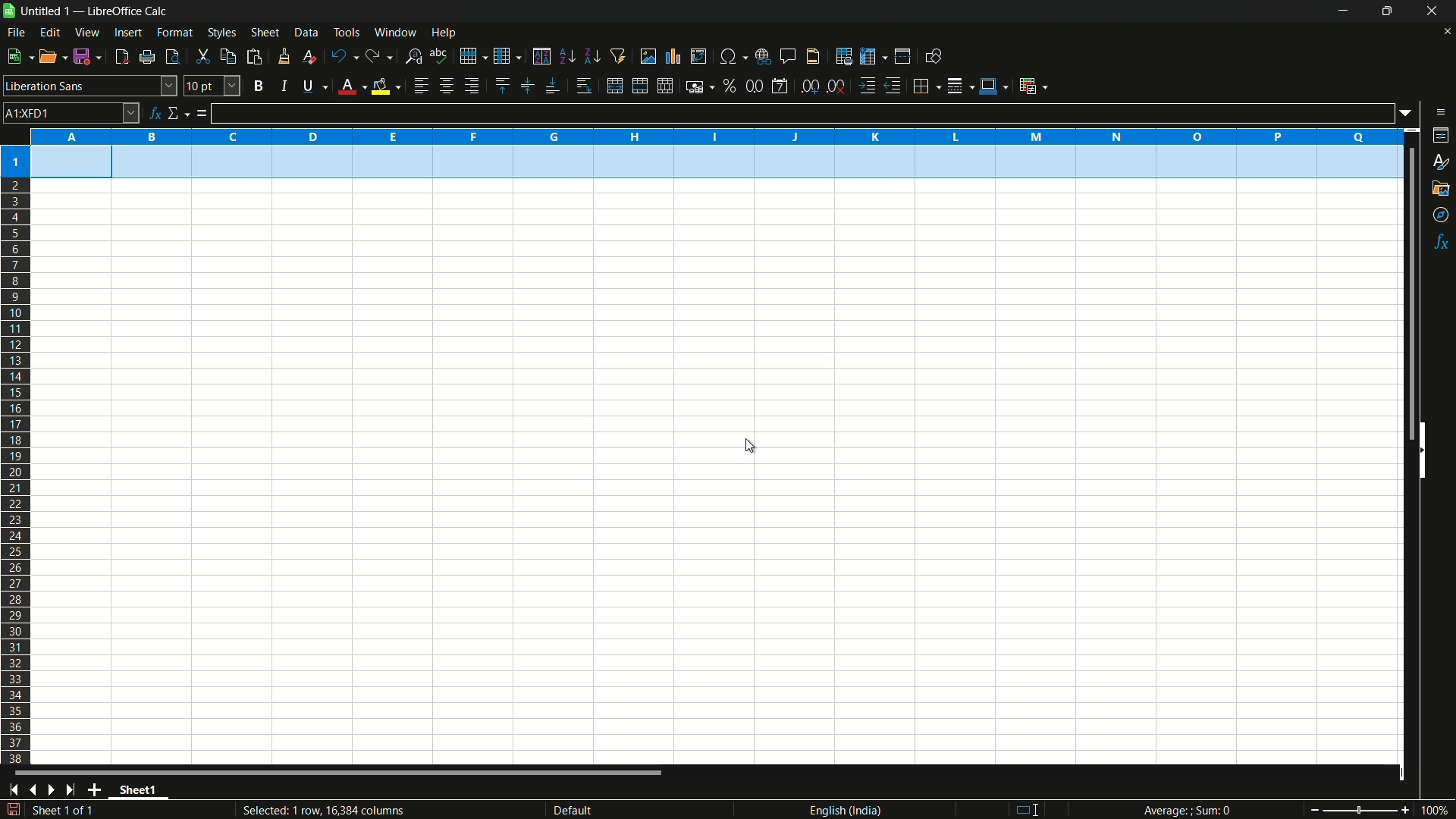  I want to click on insert special characters, so click(733, 55).